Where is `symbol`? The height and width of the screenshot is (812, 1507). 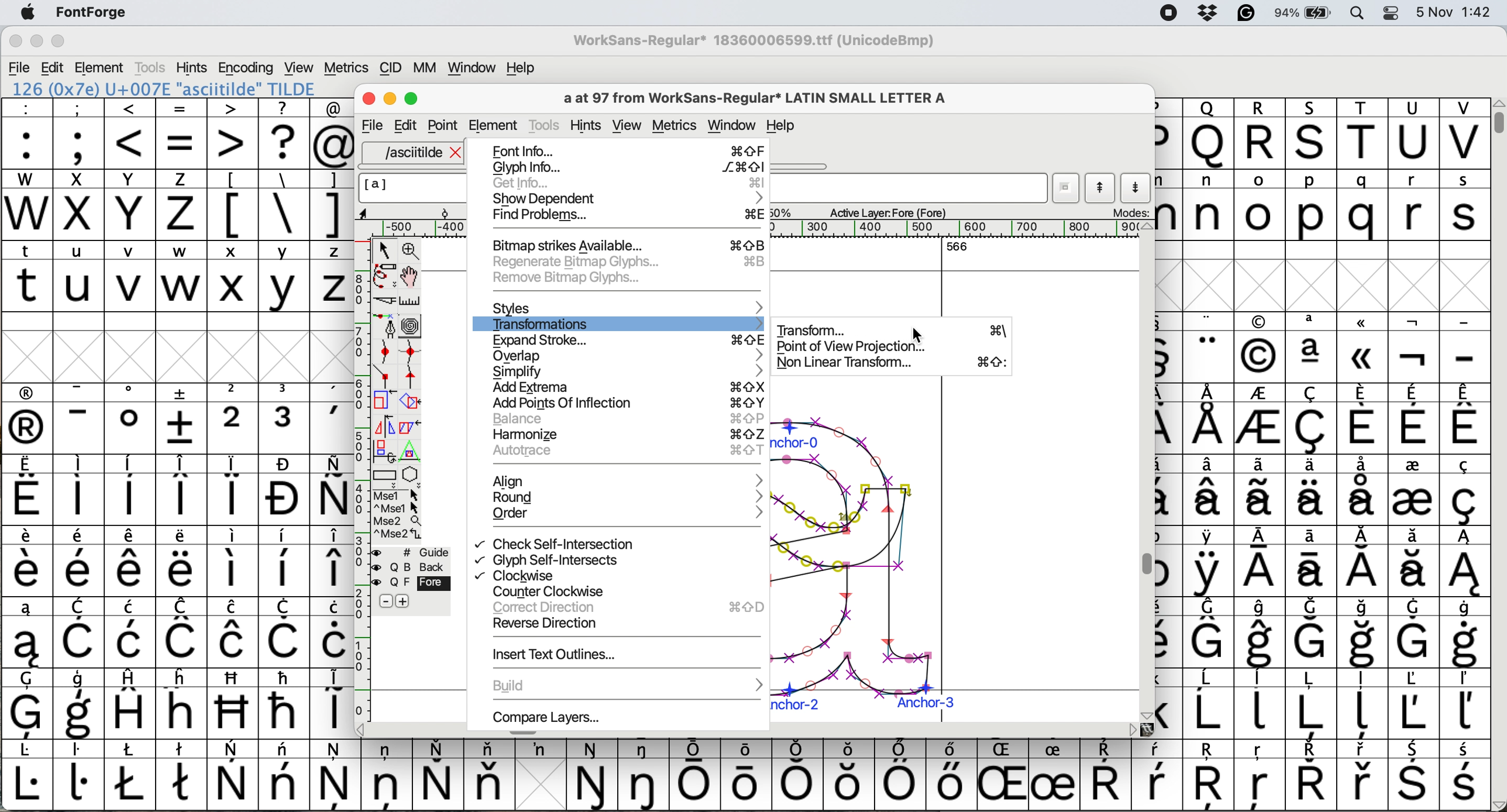 symbol is located at coordinates (696, 775).